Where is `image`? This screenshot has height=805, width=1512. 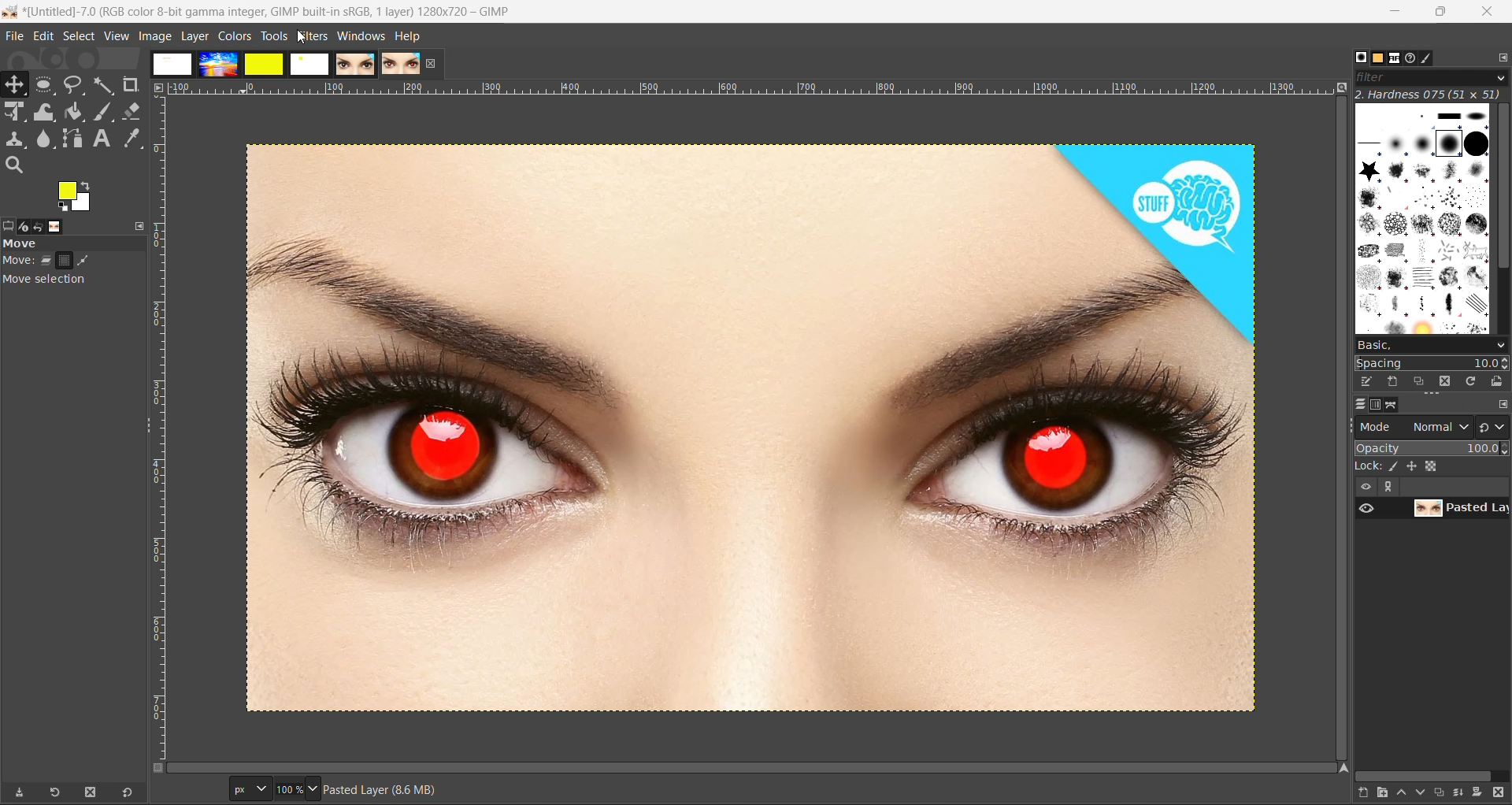 image is located at coordinates (152, 36).